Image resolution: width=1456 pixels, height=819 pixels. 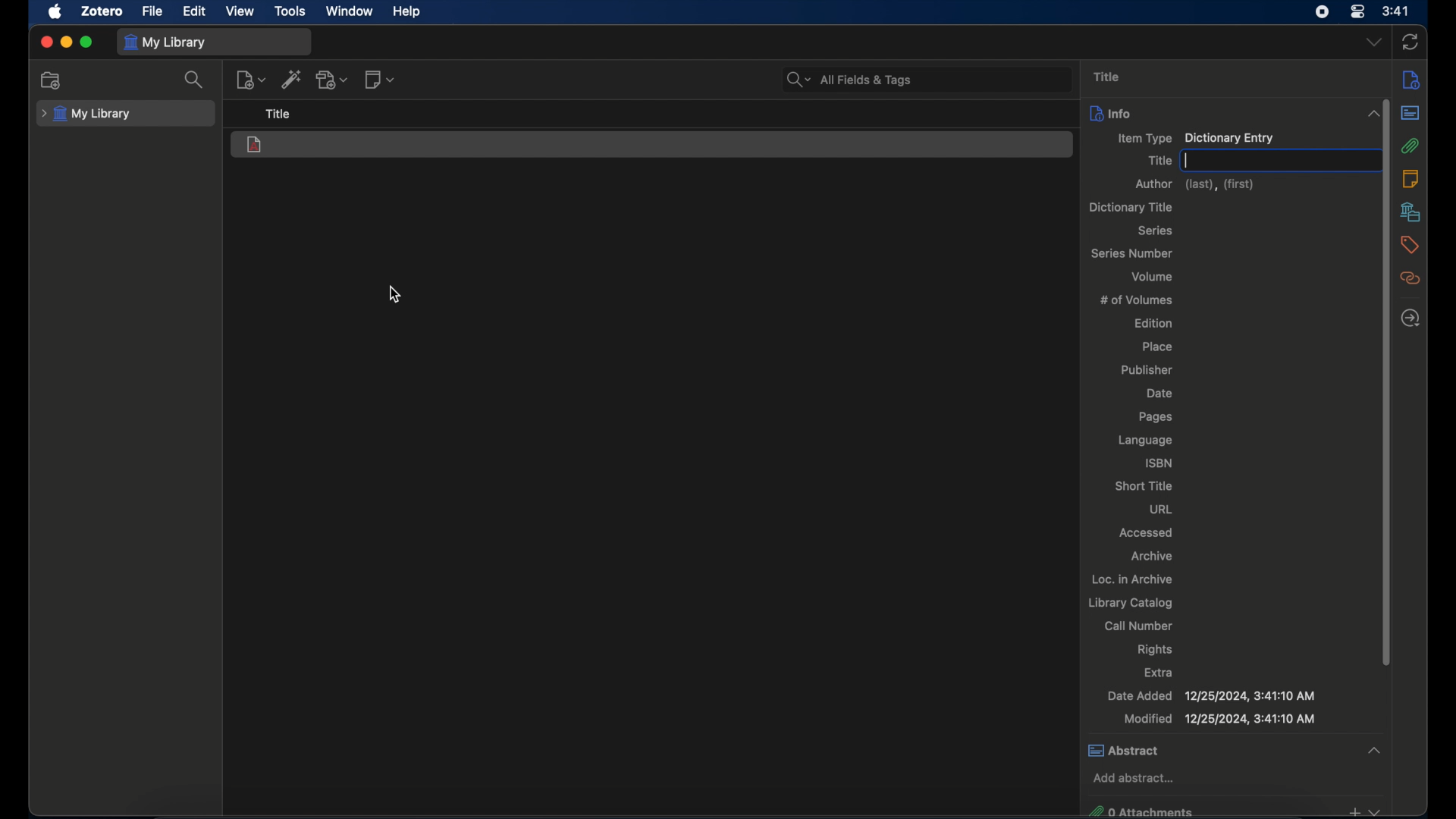 I want to click on dropdown, so click(x=1373, y=42).